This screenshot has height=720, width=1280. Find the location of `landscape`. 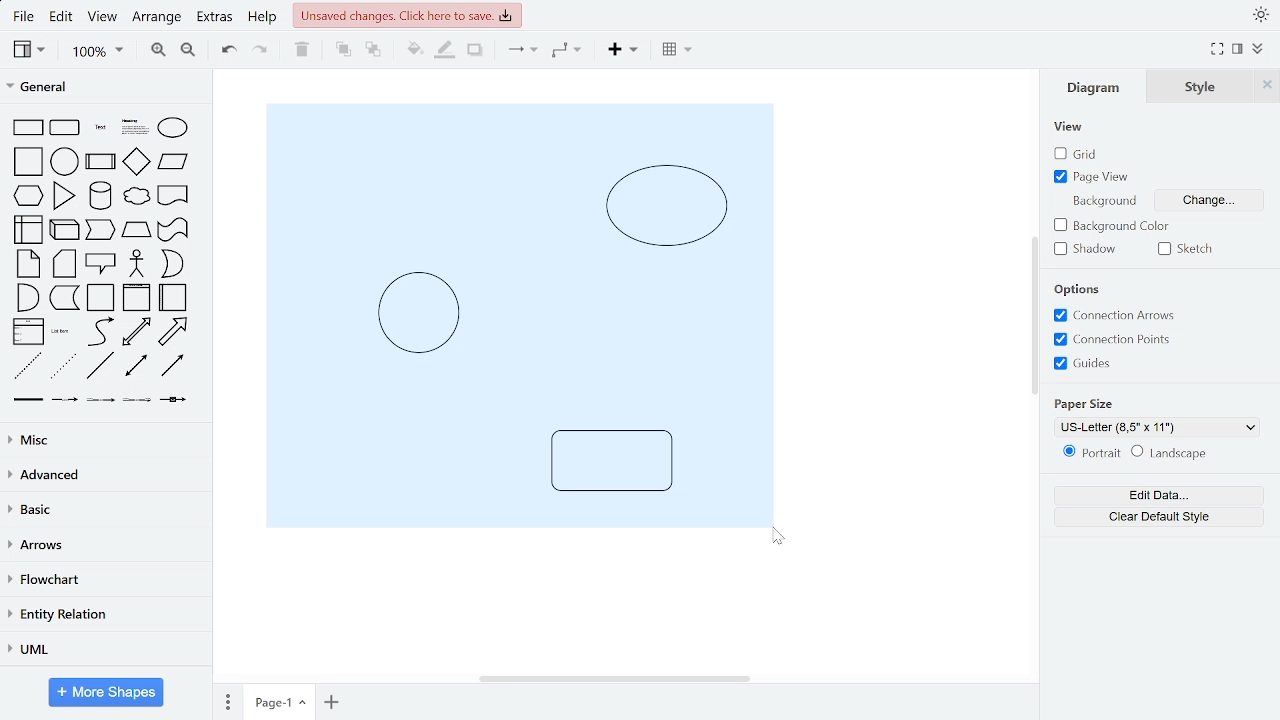

landscape is located at coordinates (1175, 453).